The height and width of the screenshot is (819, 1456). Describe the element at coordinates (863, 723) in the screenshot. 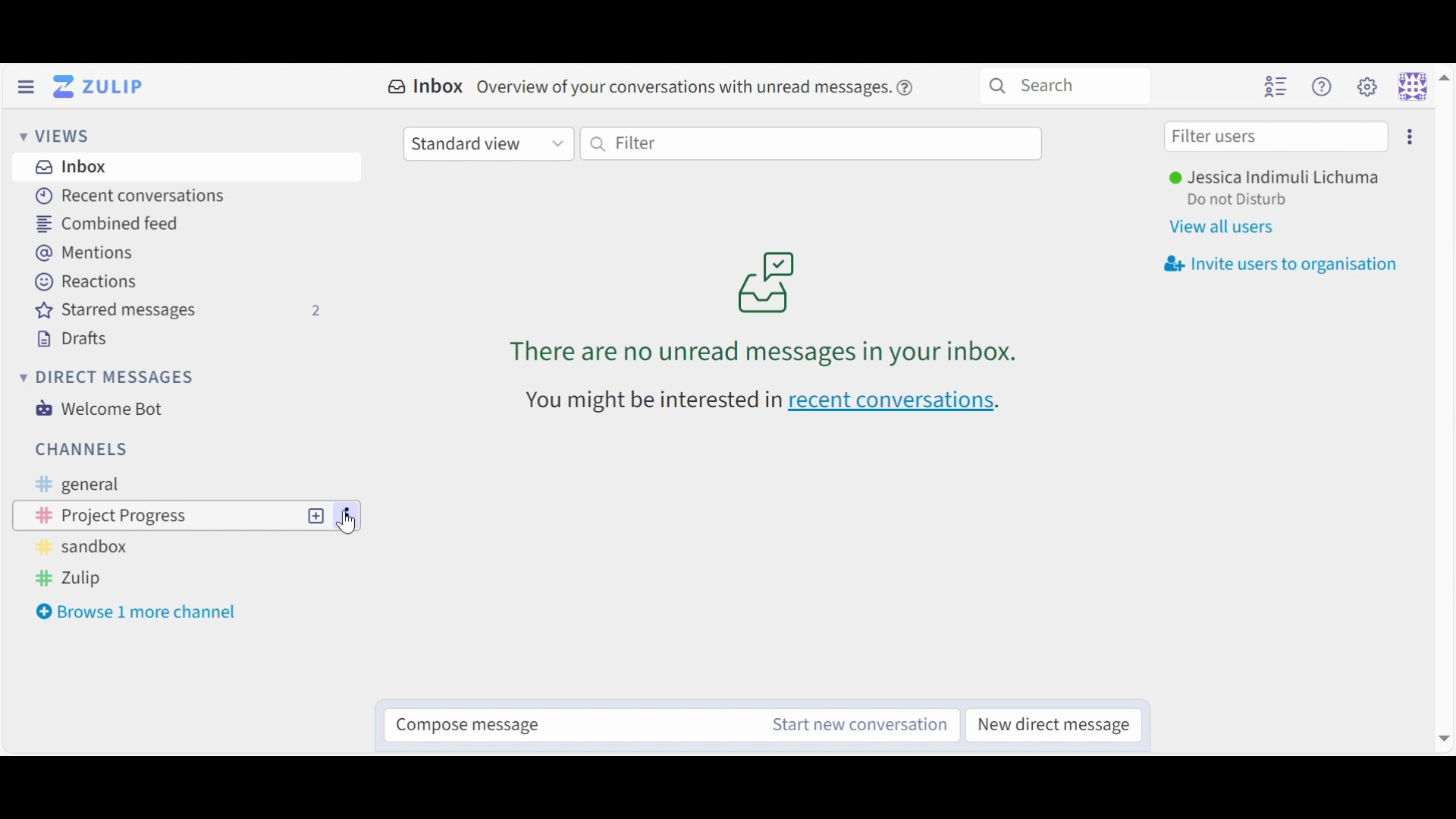

I see `Start new conversation` at that location.